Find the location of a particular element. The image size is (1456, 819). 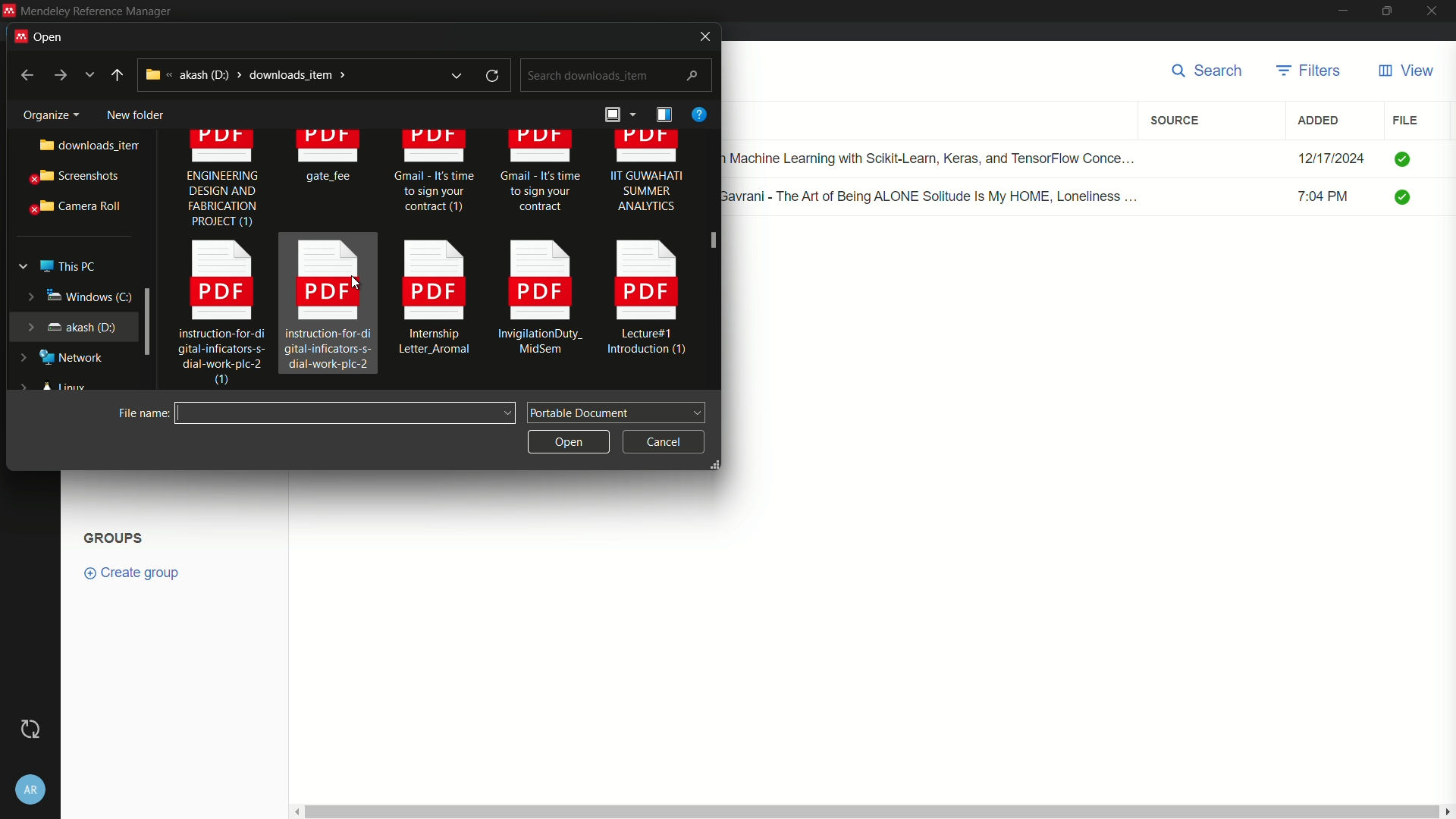

gate fee is located at coordinates (331, 159).